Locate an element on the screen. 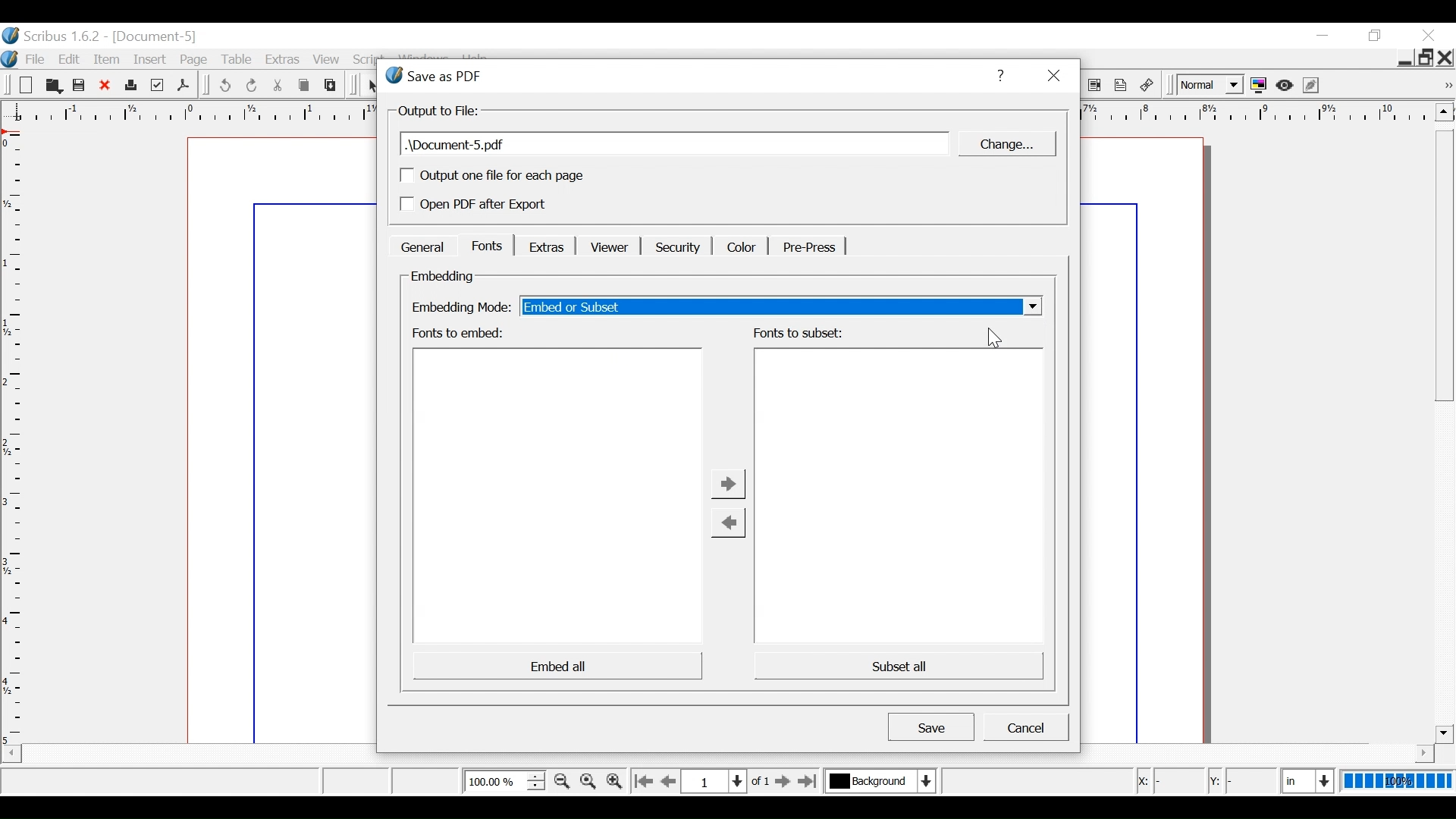  Text Annotation is located at coordinates (1121, 86).